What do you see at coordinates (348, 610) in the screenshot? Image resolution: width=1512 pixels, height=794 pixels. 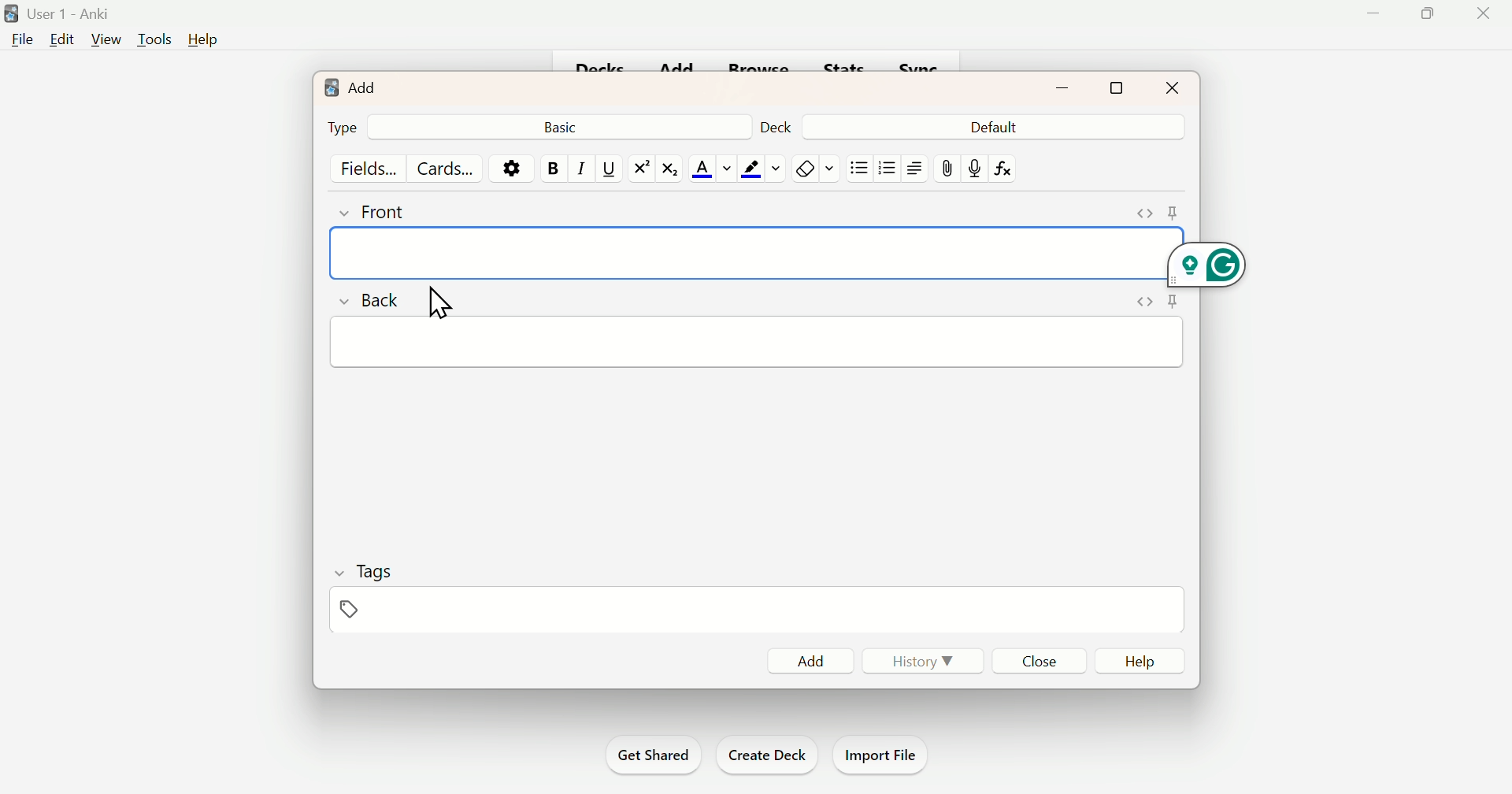 I see `Pin` at bounding box center [348, 610].